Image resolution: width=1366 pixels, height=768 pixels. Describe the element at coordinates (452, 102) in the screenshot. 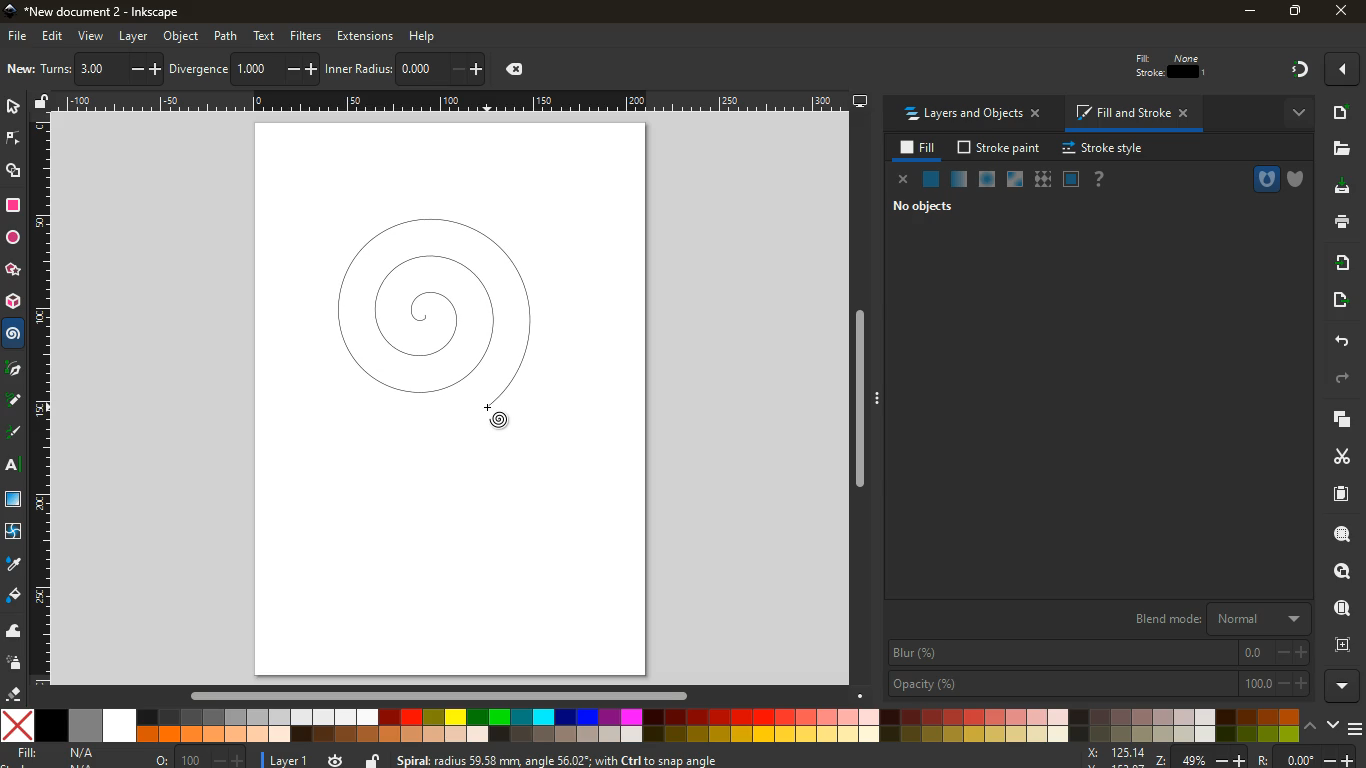

I see `` at that location.